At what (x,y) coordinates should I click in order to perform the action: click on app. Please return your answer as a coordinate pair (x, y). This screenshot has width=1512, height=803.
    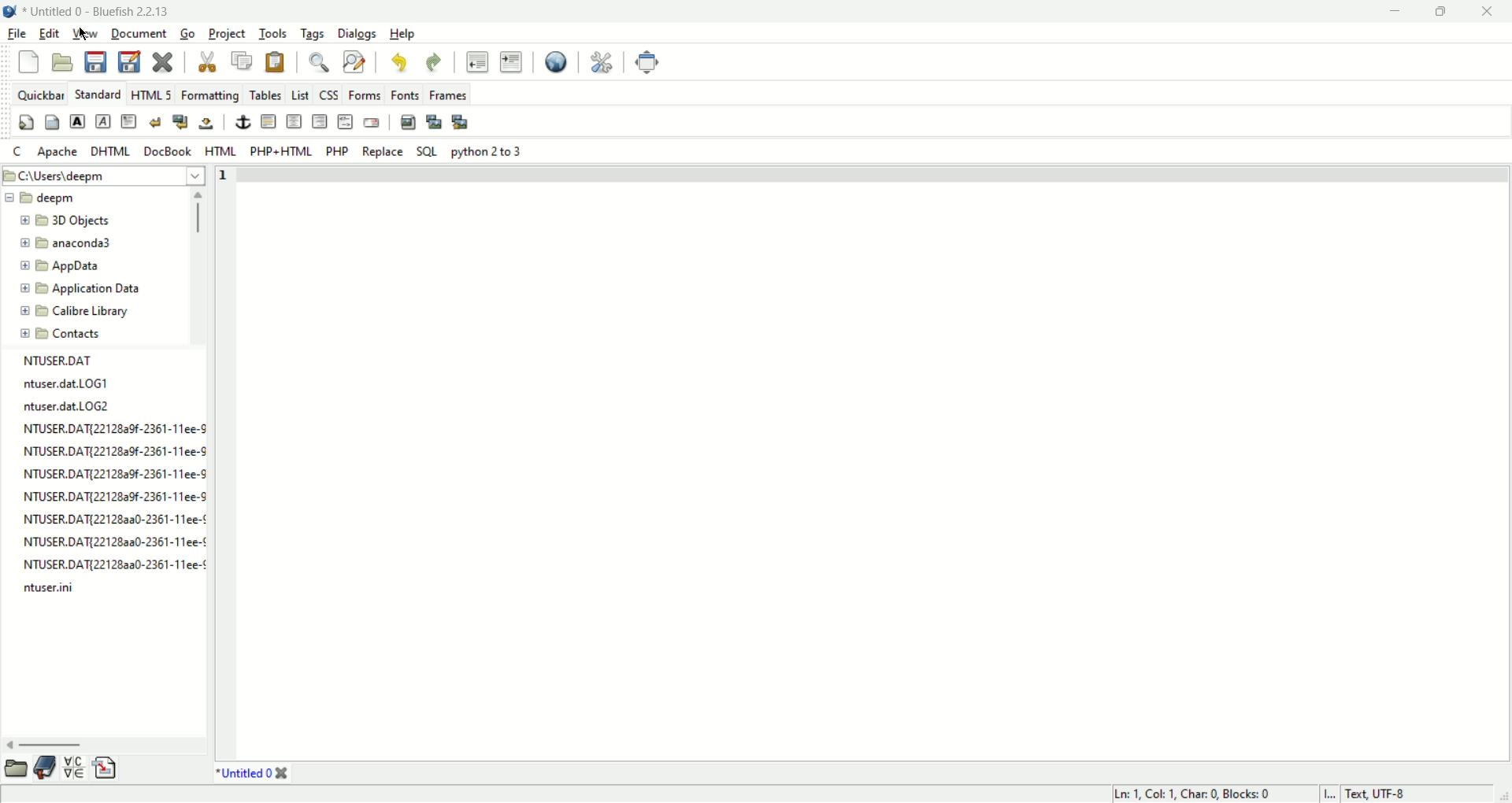
    Looking at the image, I should click on (63, 267).